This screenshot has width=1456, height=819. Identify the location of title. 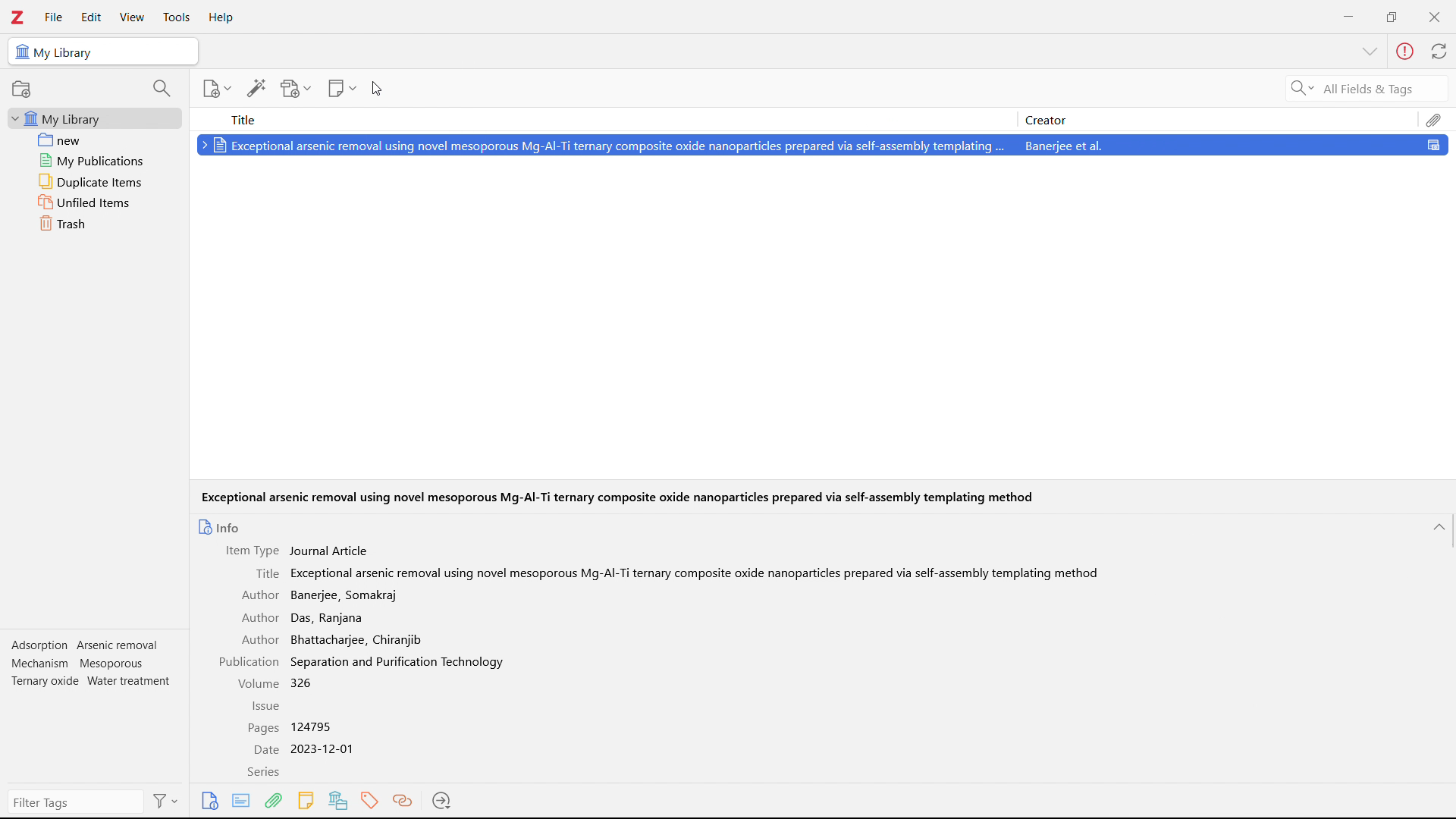
(603, 119).